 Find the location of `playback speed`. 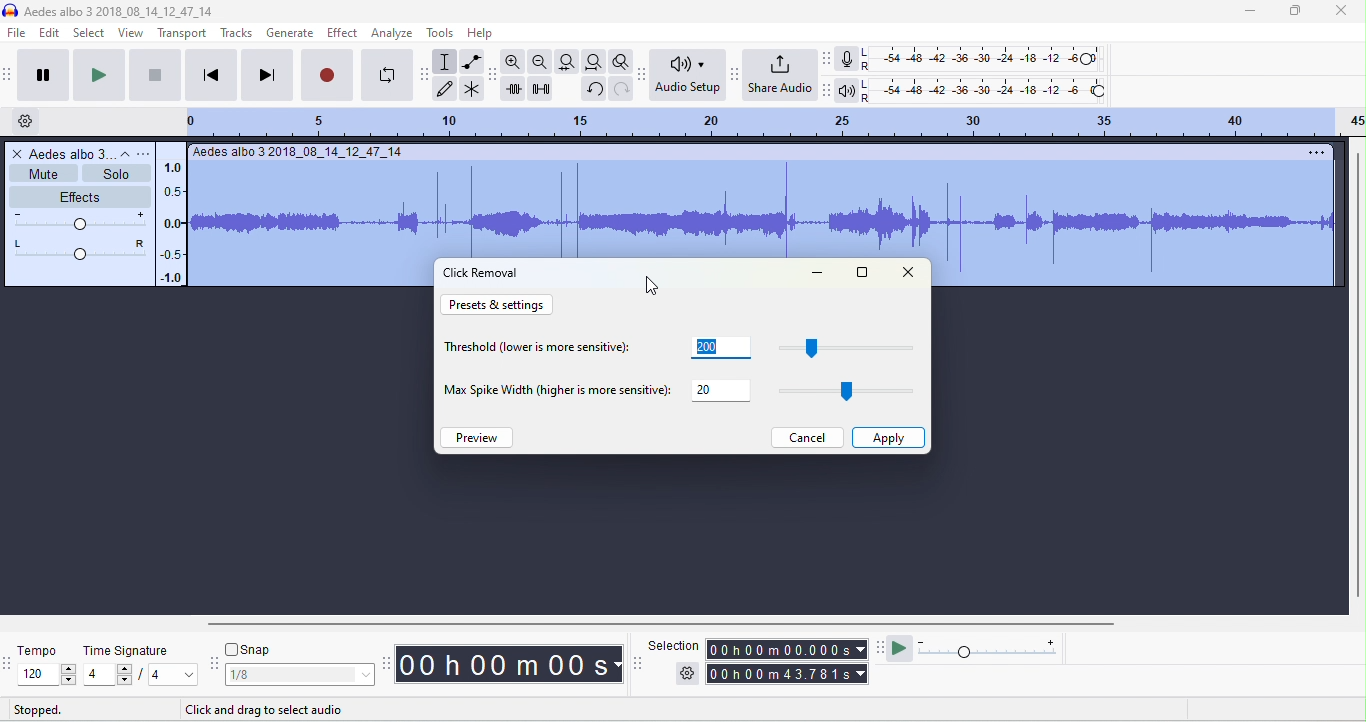

playback speed is located at coordinates (991, 649).